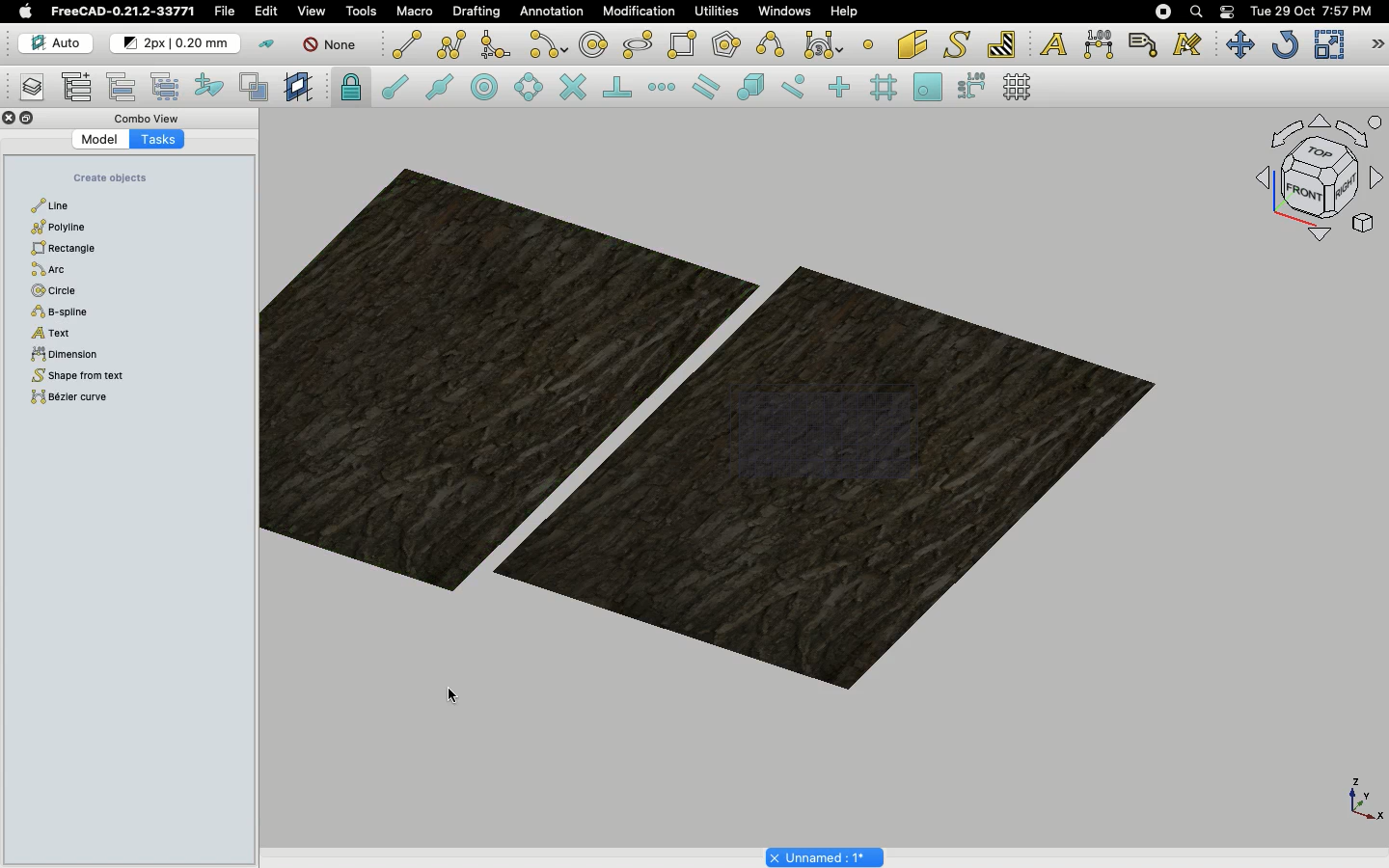 The image size is (1389, 868). Describe the element at coordinates (28, 119) in the screenshot. I see `Collapse` at that location.